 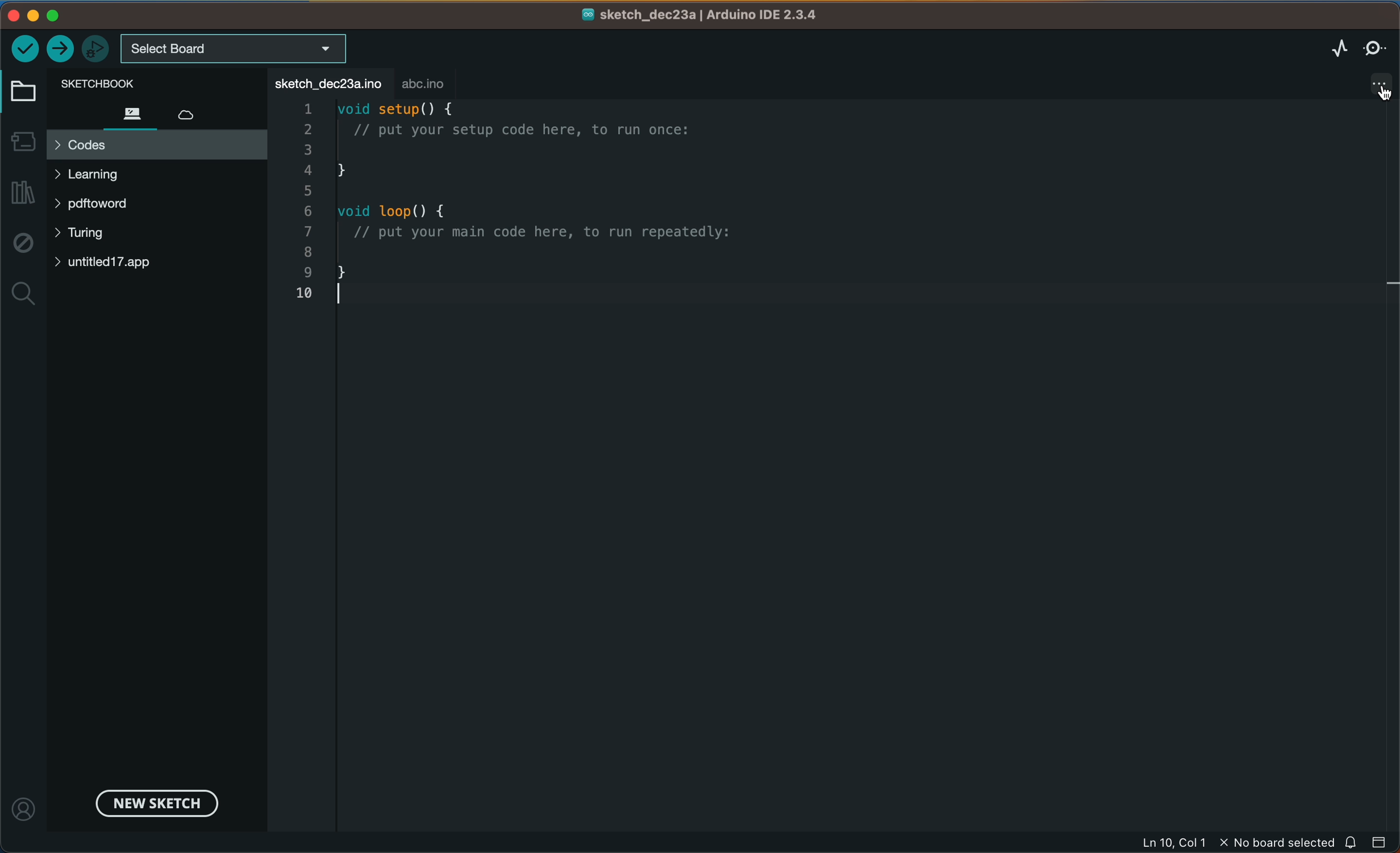 What do you see at coordinates (613, 205) in the screenshot?
I see `code` at bounding box center [613, 205].